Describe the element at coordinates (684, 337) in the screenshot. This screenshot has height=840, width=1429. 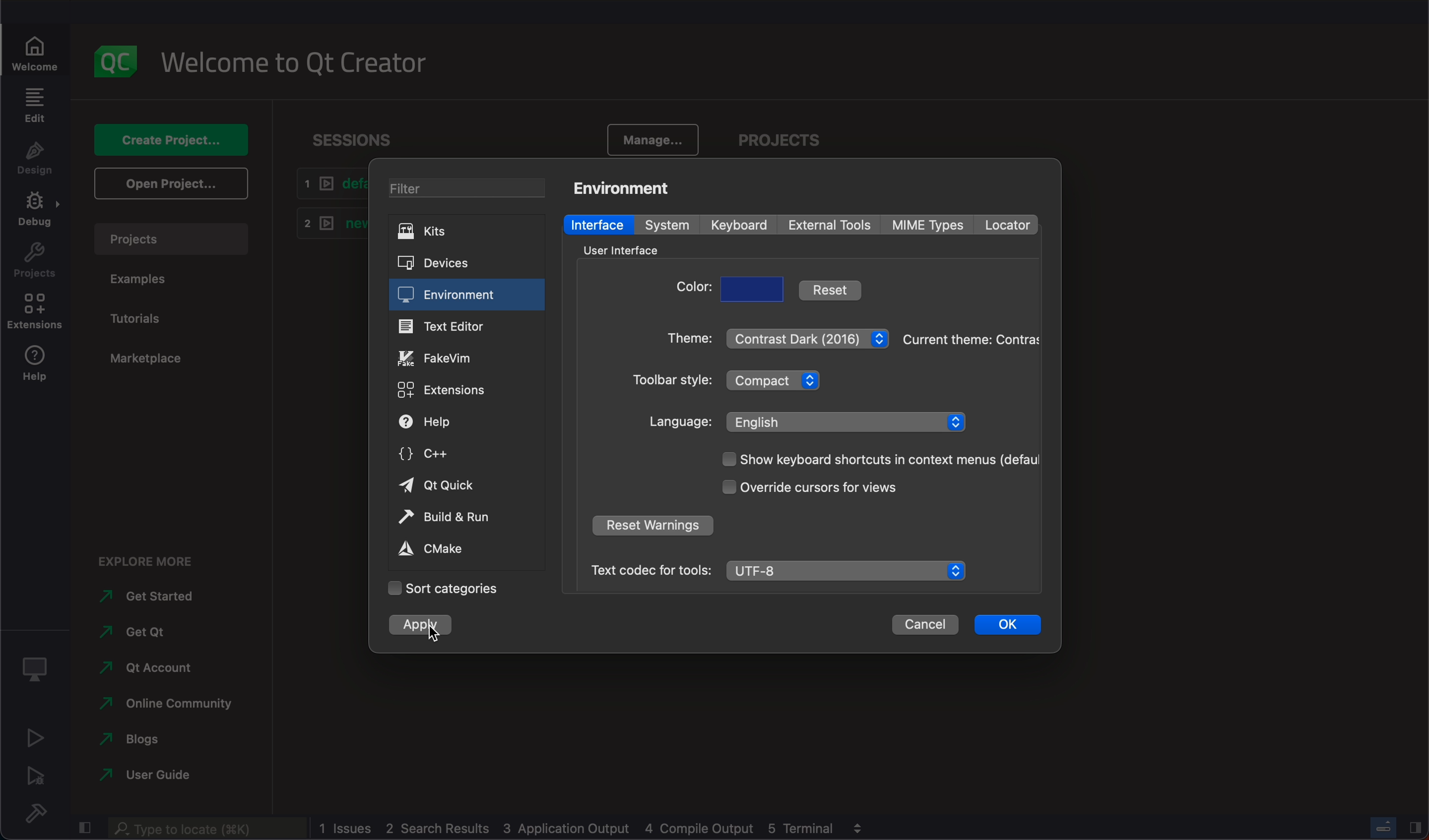
I see `theme` at that location.